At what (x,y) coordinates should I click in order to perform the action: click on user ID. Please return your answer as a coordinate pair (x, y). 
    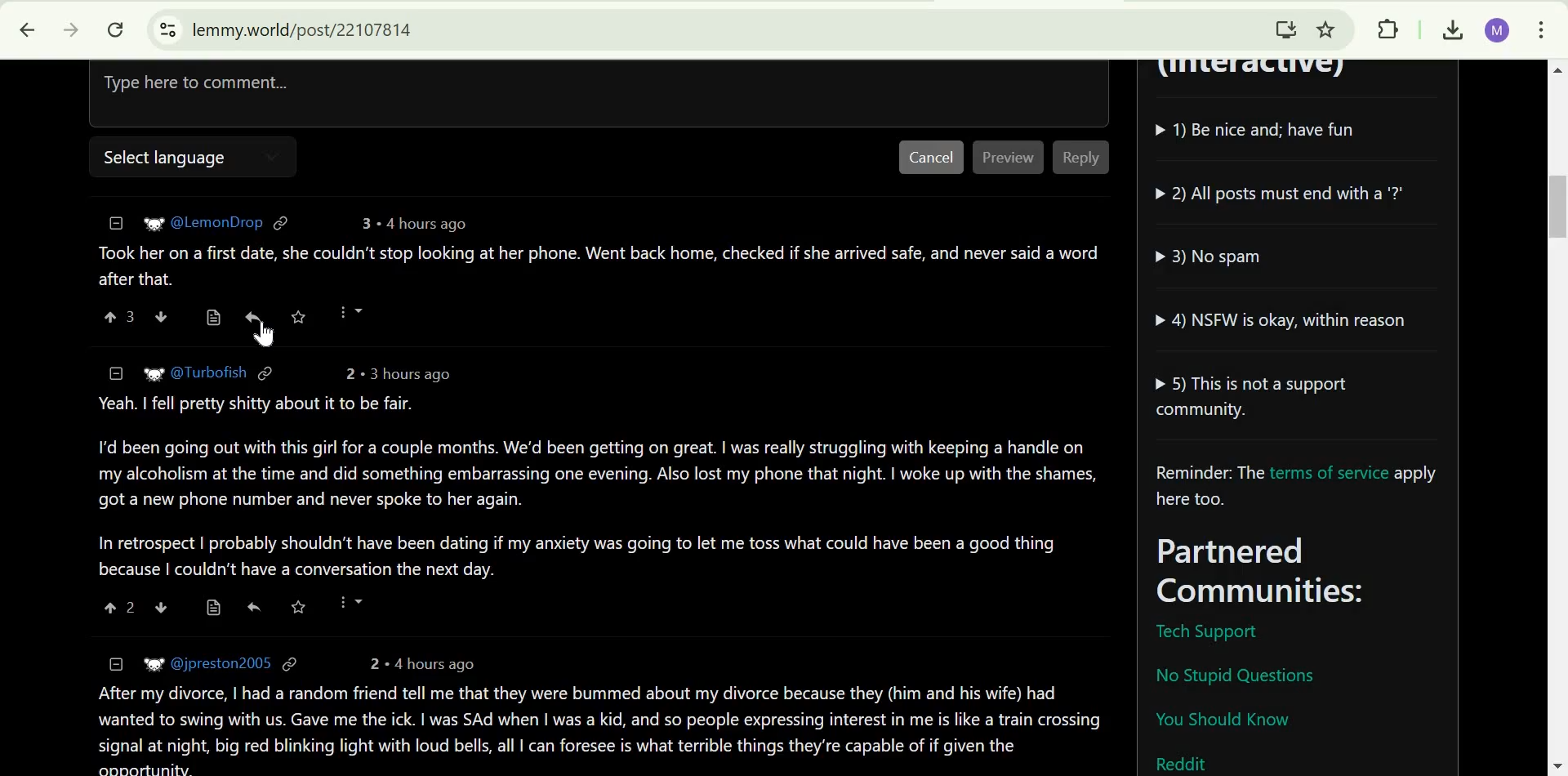
    Looking at the image, I should click on (209, 372).